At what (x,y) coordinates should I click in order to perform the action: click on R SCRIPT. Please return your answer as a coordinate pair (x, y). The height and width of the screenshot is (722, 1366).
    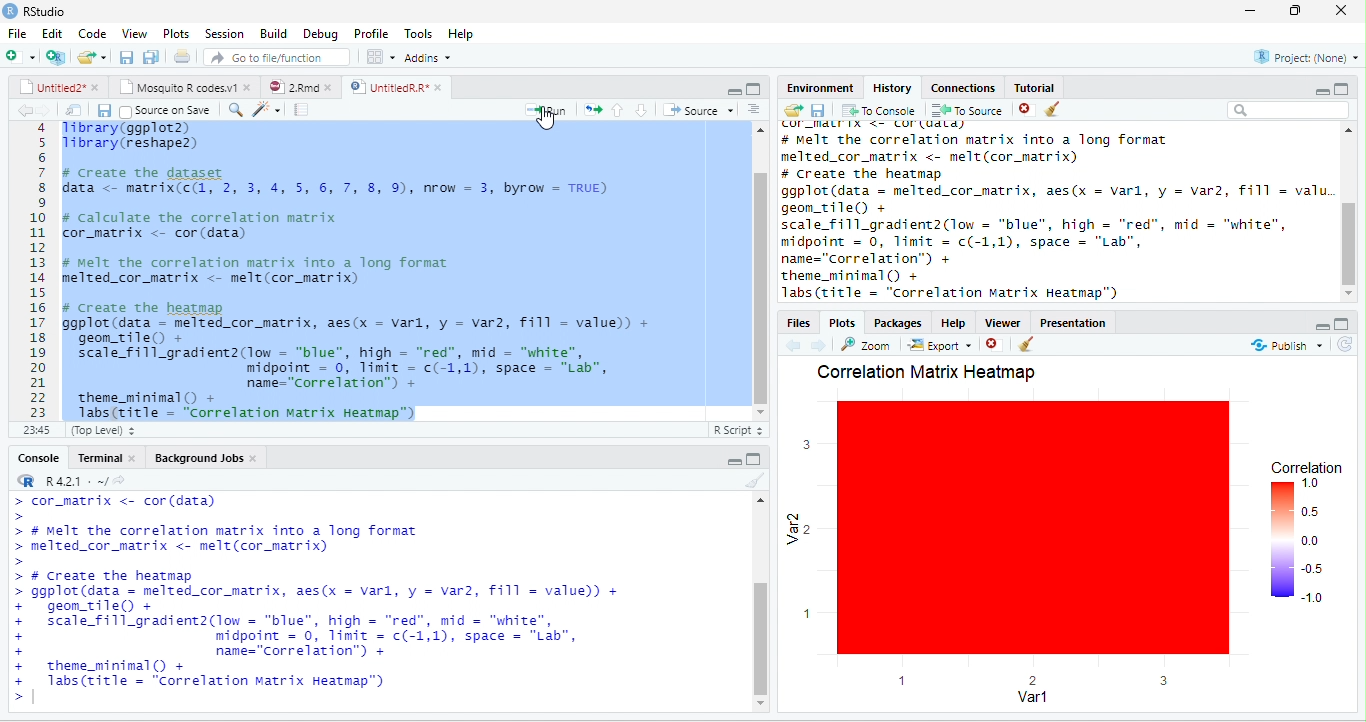
    Looking at the image, I should click on (735, 432).